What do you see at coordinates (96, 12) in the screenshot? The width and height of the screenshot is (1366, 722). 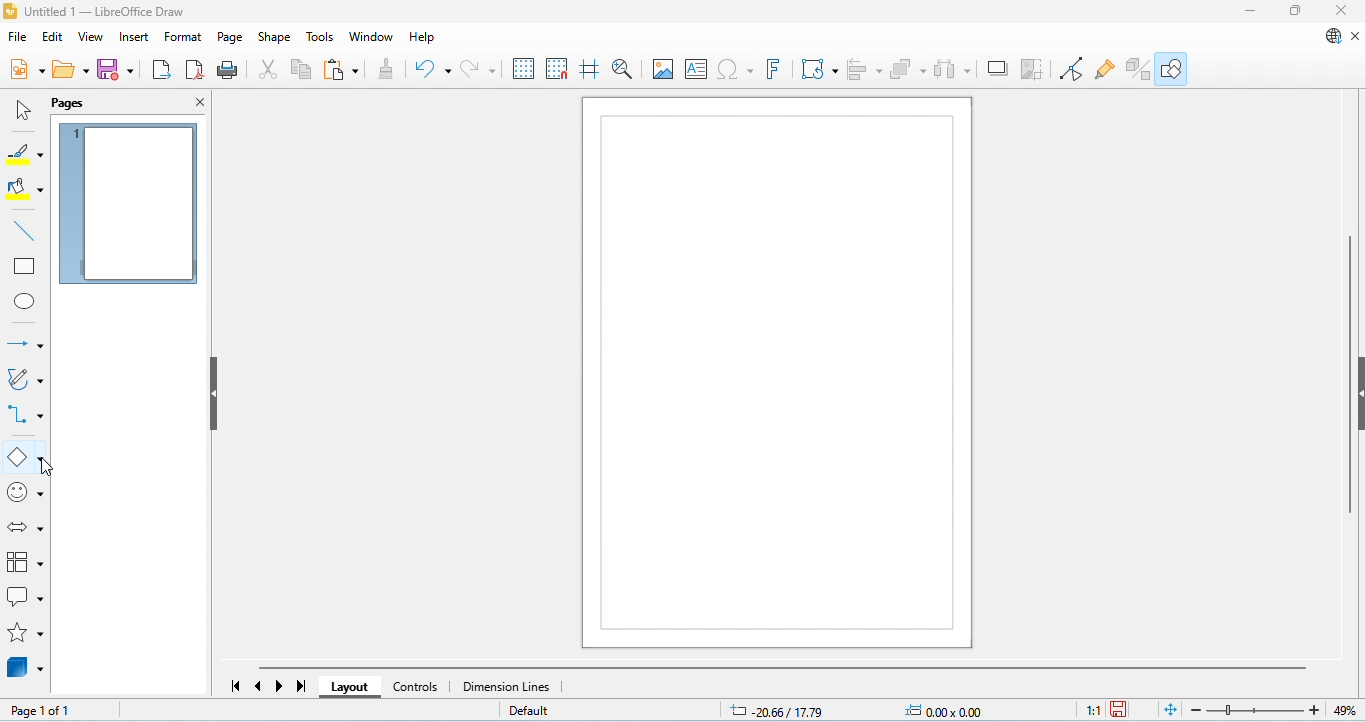 I see `title` at bounding box center [96, 12].